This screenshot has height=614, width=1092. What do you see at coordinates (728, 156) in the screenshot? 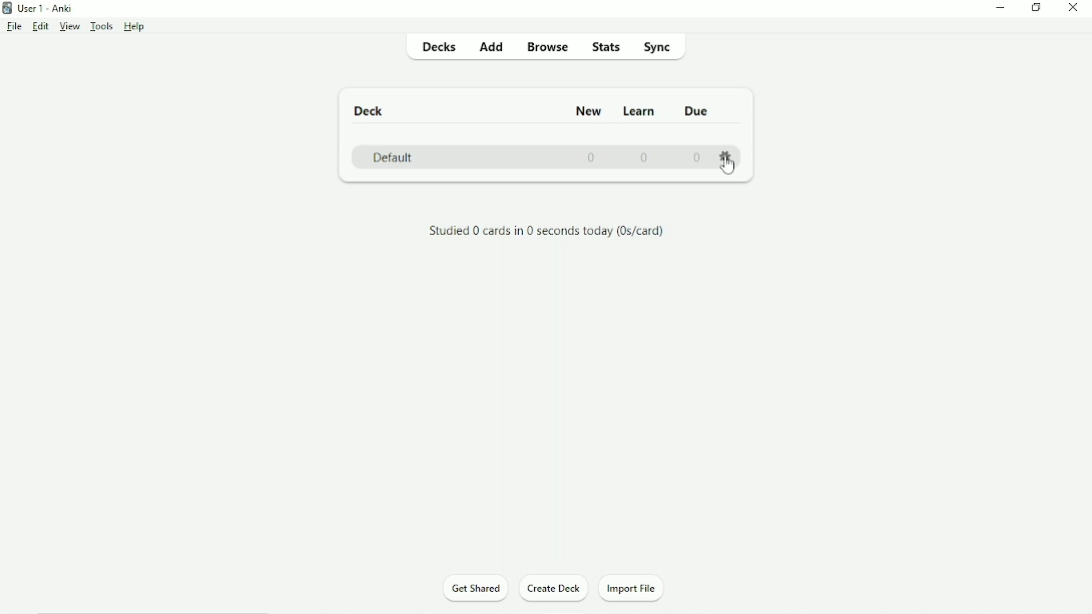
I see `Settings` at bounding box center [728, 156].